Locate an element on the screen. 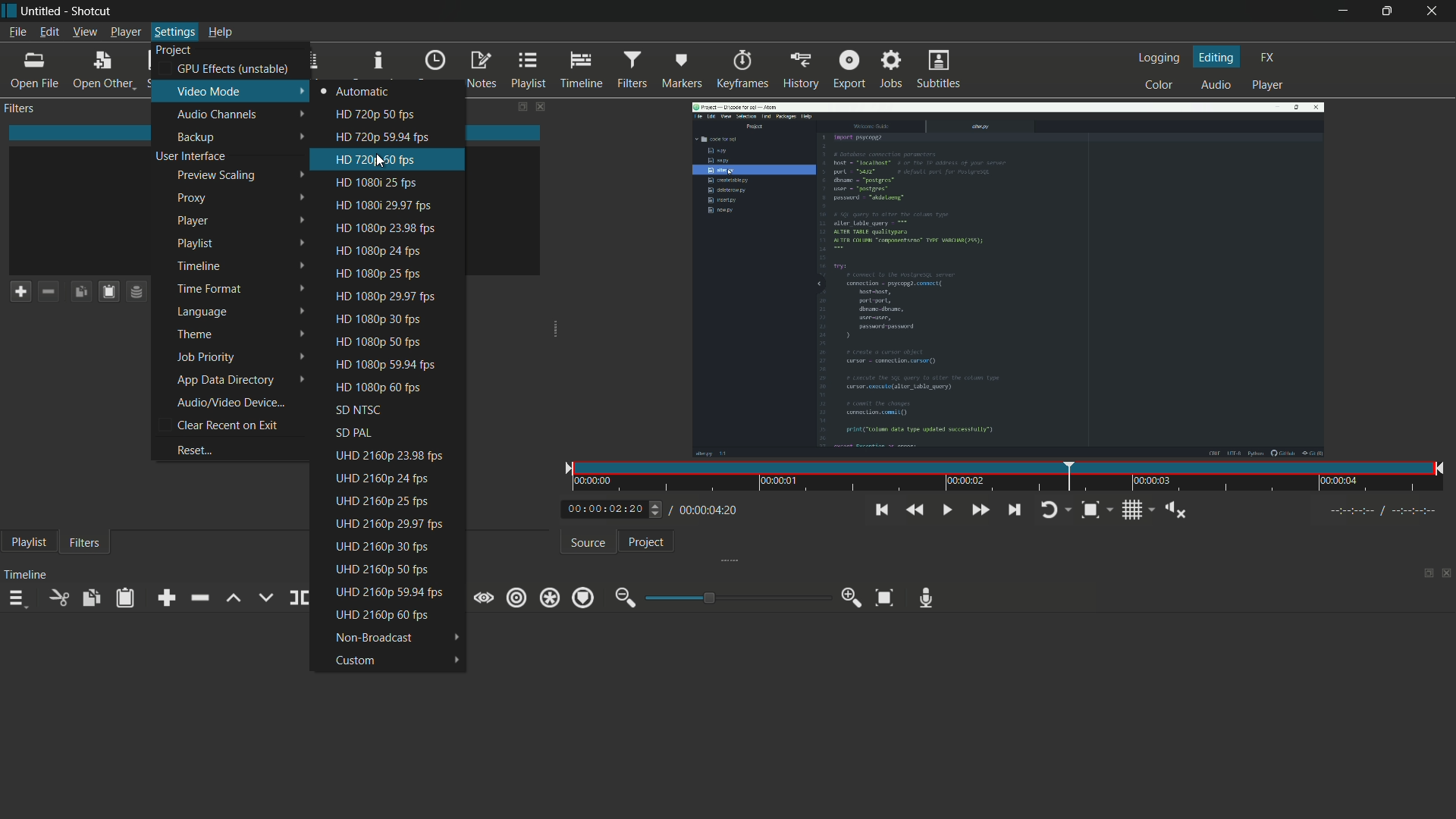 The image size is (1456, 819). imported video is located at coordinates (1008, 276).